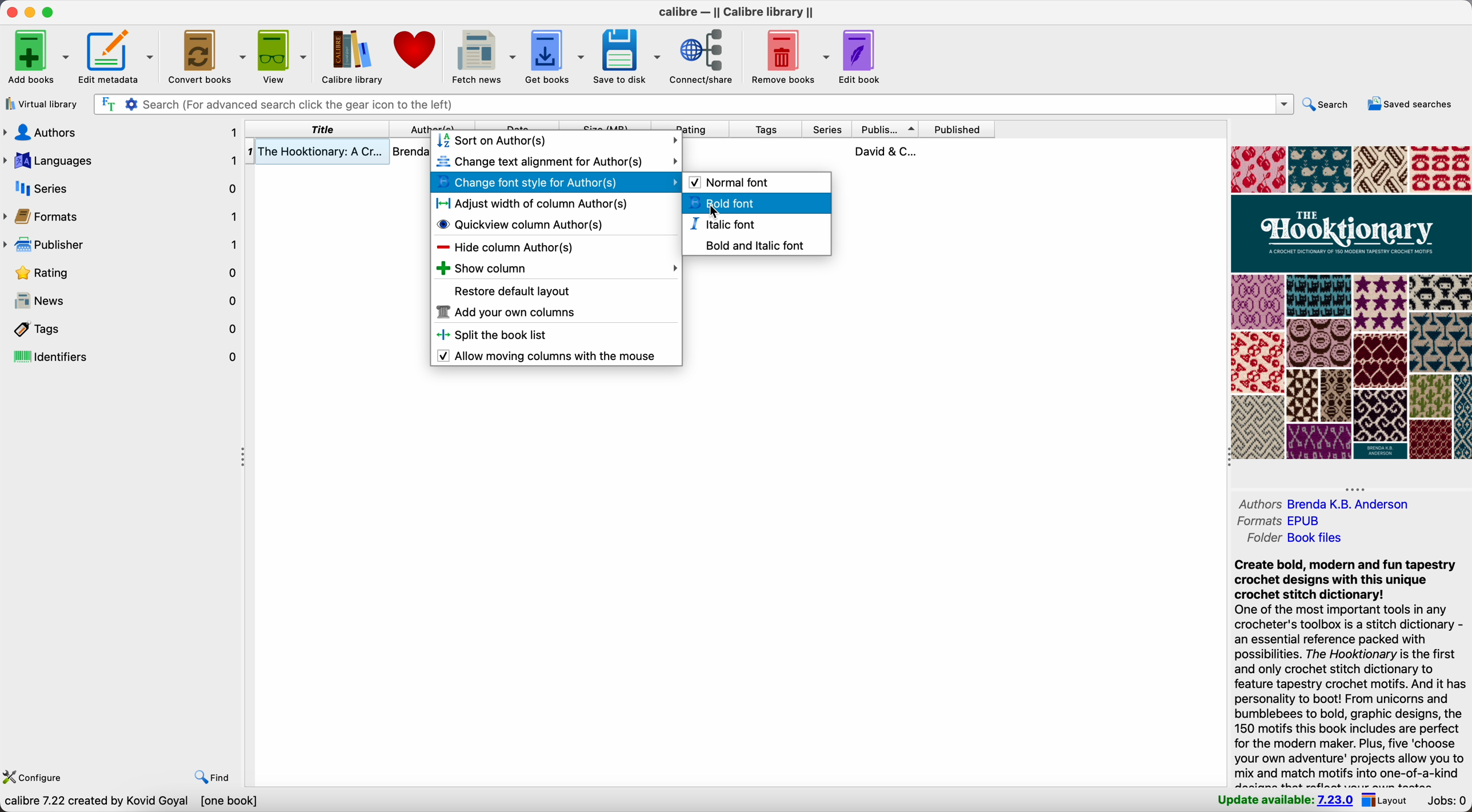  Describe the element at coordinates (33, 13) in the screenshot. I see `minimize` at that location.